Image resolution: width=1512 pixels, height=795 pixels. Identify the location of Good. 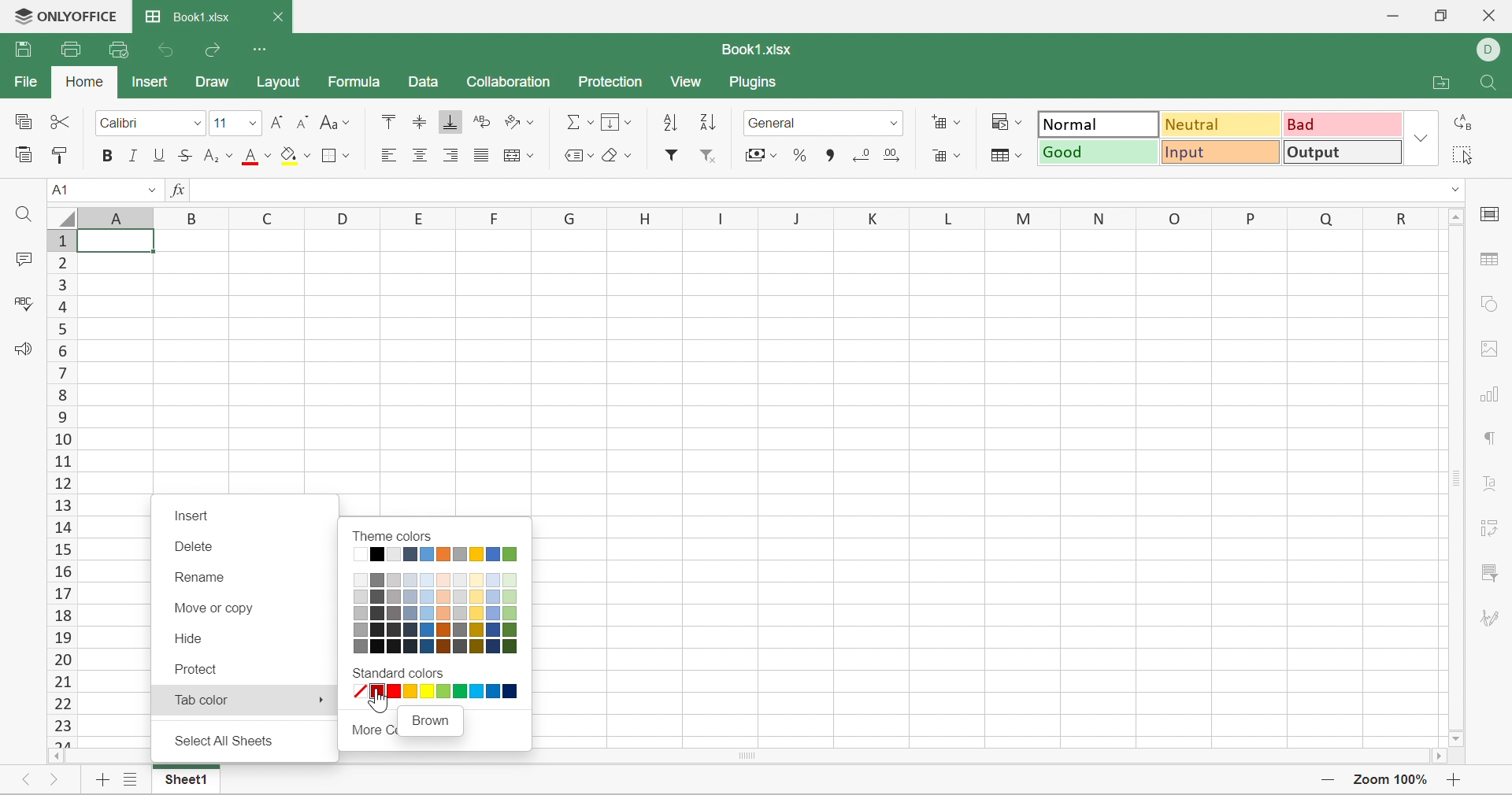
(1099, 152).